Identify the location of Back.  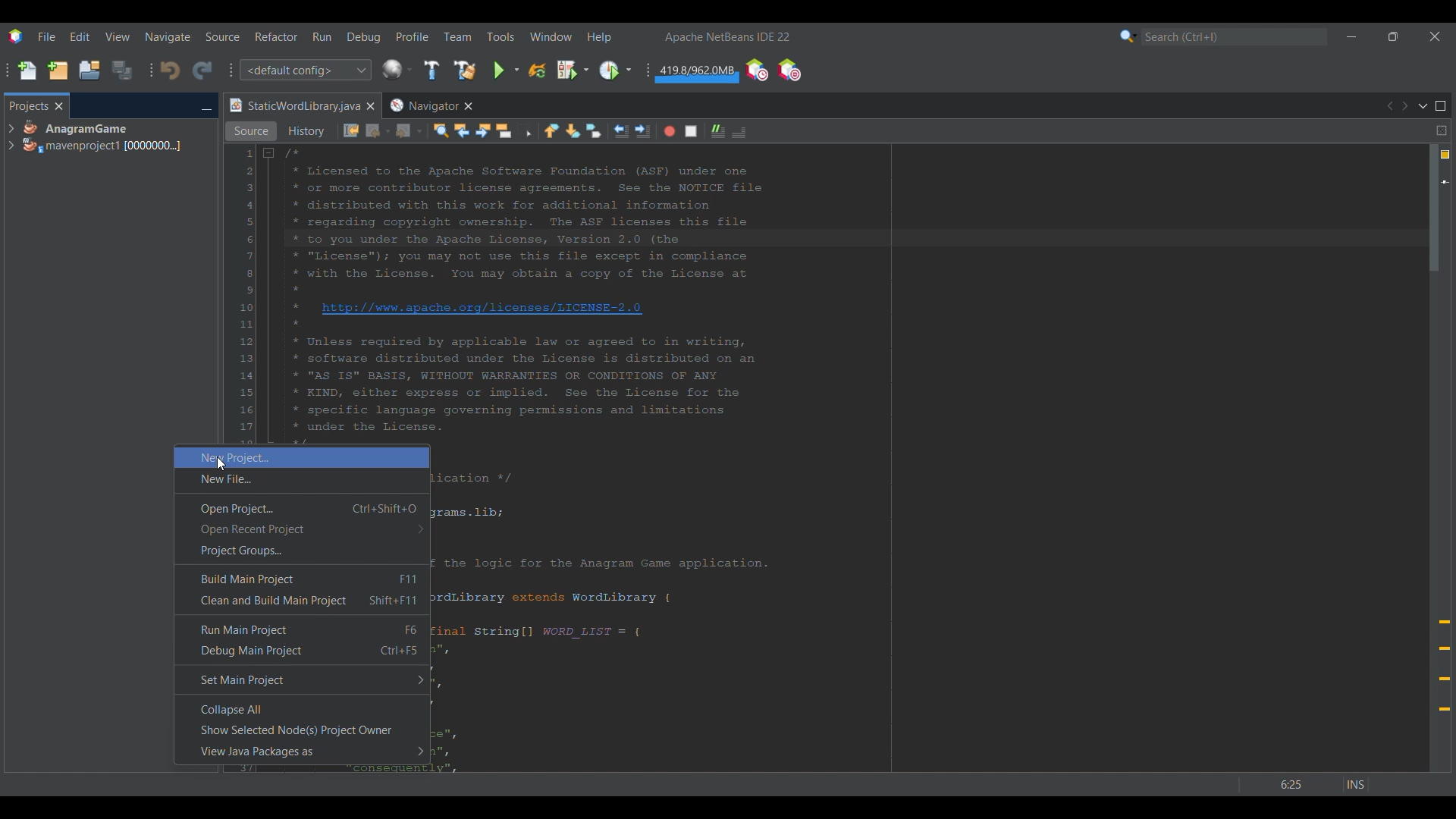
(378, 131).